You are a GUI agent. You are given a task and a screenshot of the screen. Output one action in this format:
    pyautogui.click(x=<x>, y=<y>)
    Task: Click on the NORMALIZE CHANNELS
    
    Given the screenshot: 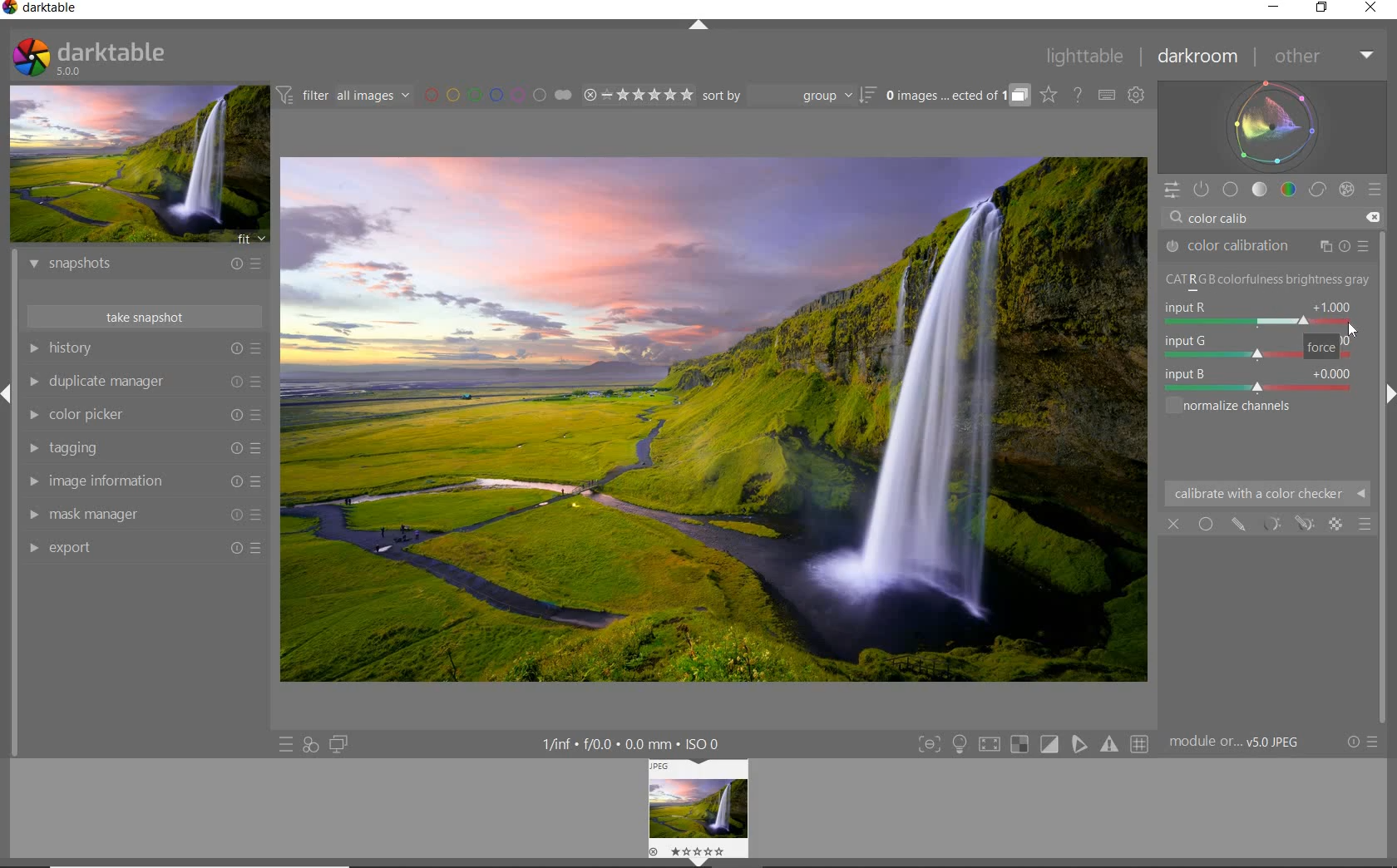 What is the action you would take?
    pyautogui.click(x=1249, y=407)
    